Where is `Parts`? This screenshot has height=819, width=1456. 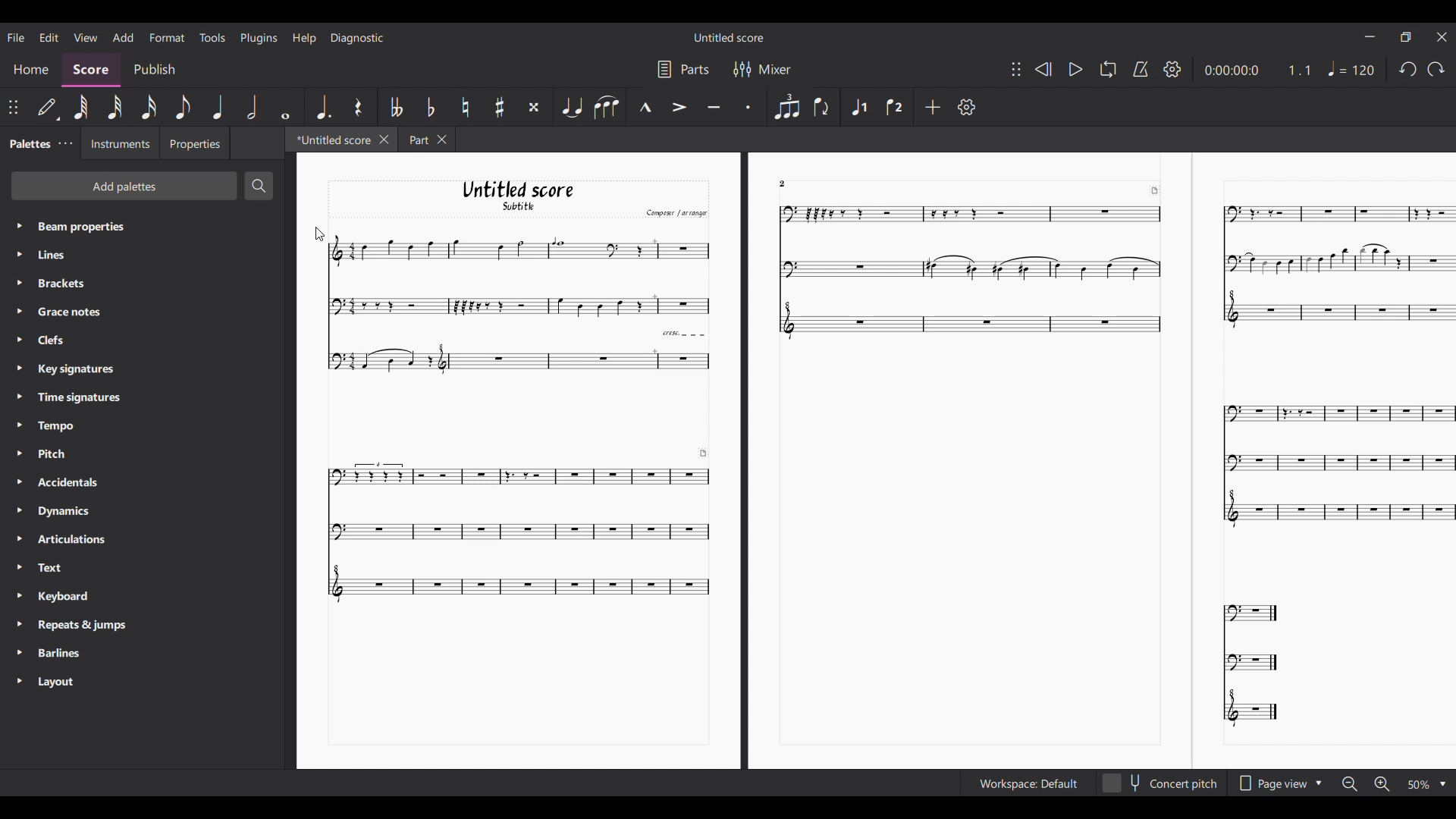 Parts is located at coordinates (695, 69).